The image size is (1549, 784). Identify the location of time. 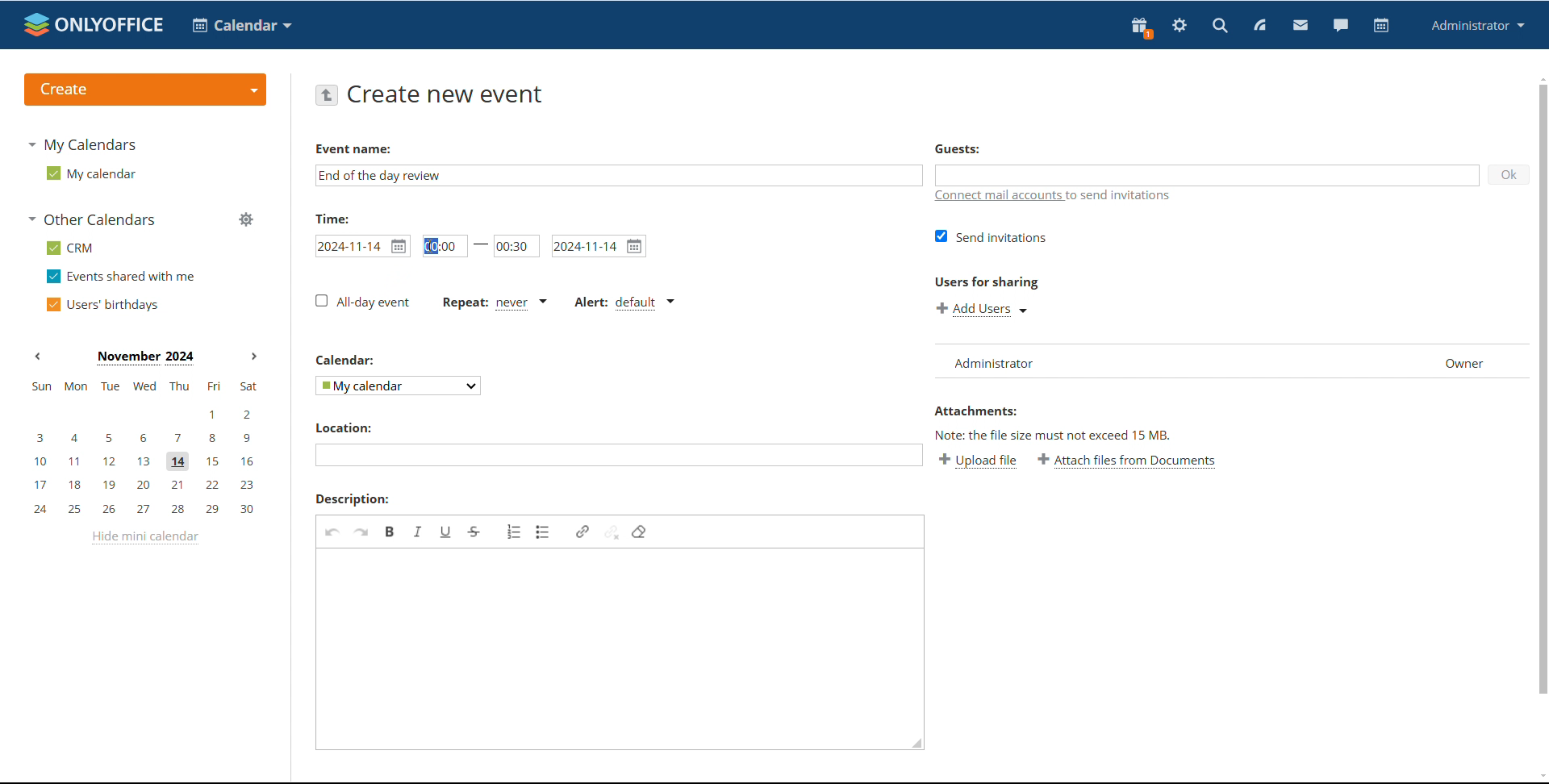
(332, 218).